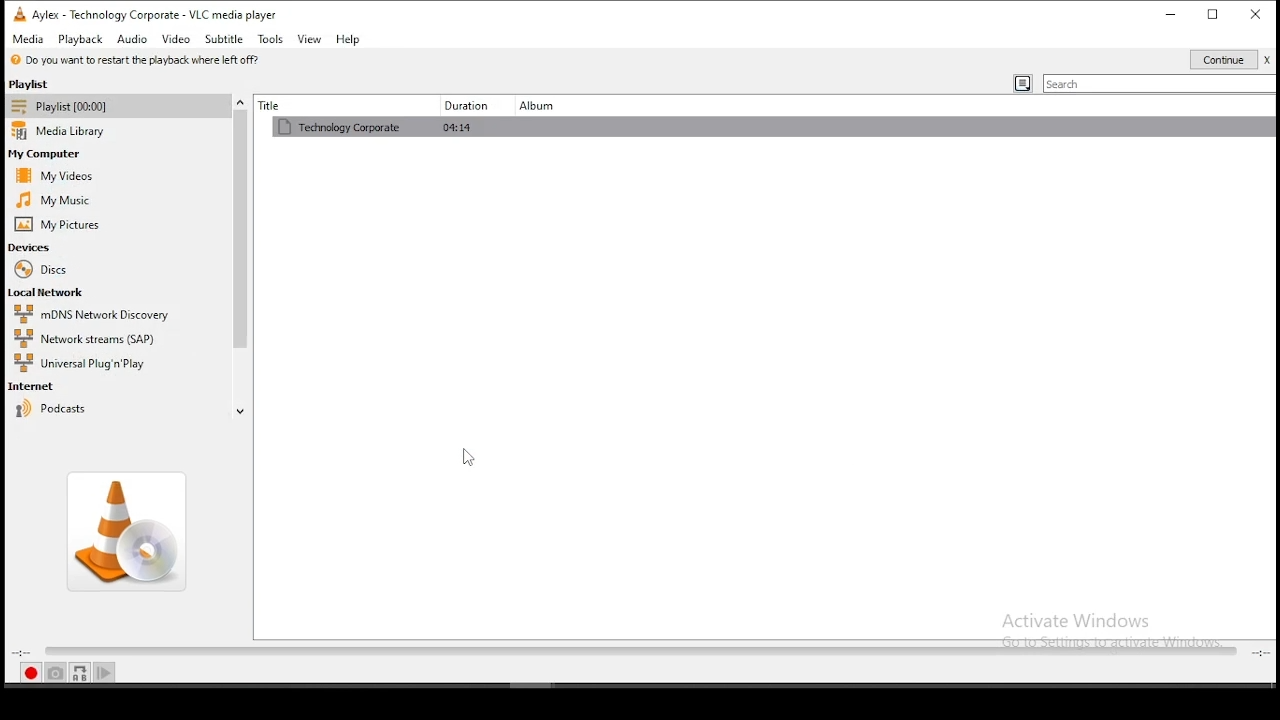 The width and height of the screenshot is (1280, 720). Describe the element at coordinates (86, 337) in the screenshot. I see `network streams (SAP)` at that location.